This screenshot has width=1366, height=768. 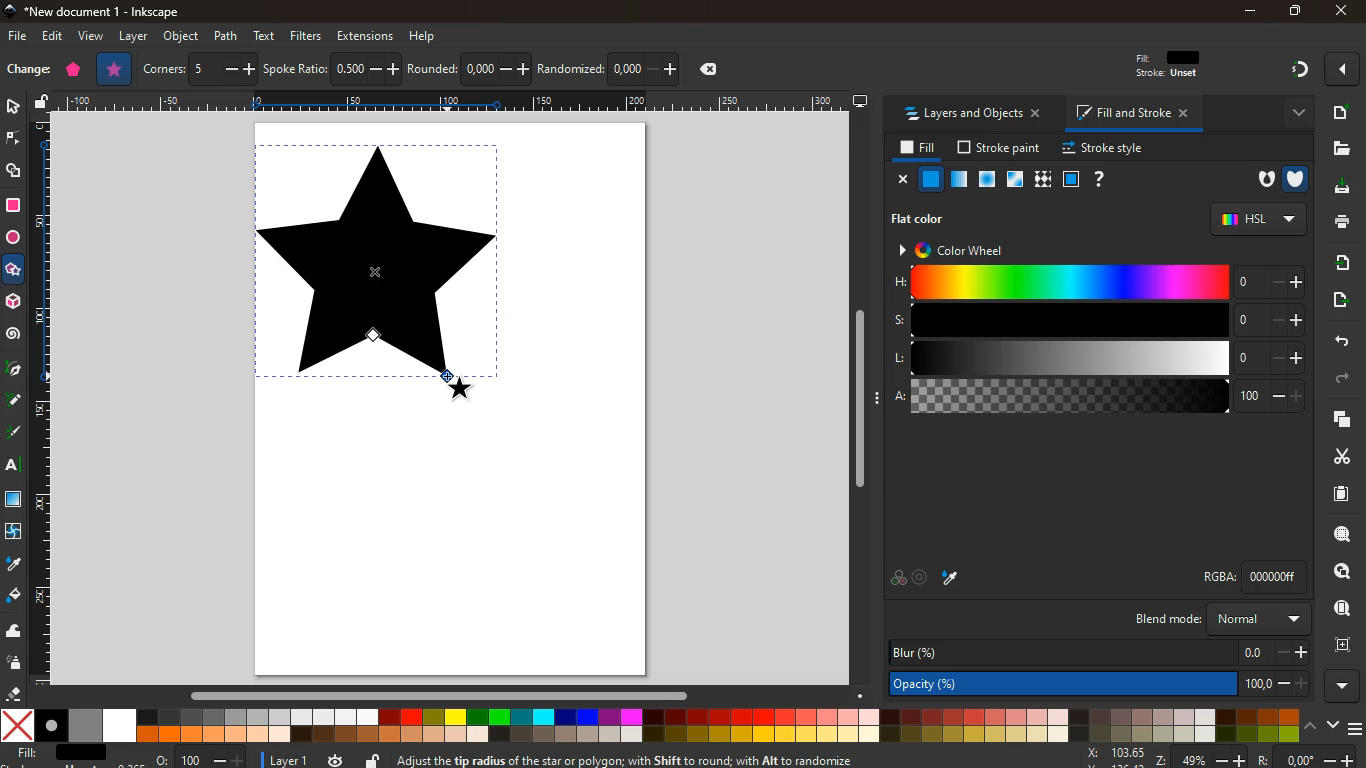 What do you see at coordinates (336, 759) in the screenshot?
I see `time` at bounding box center [336, 759].